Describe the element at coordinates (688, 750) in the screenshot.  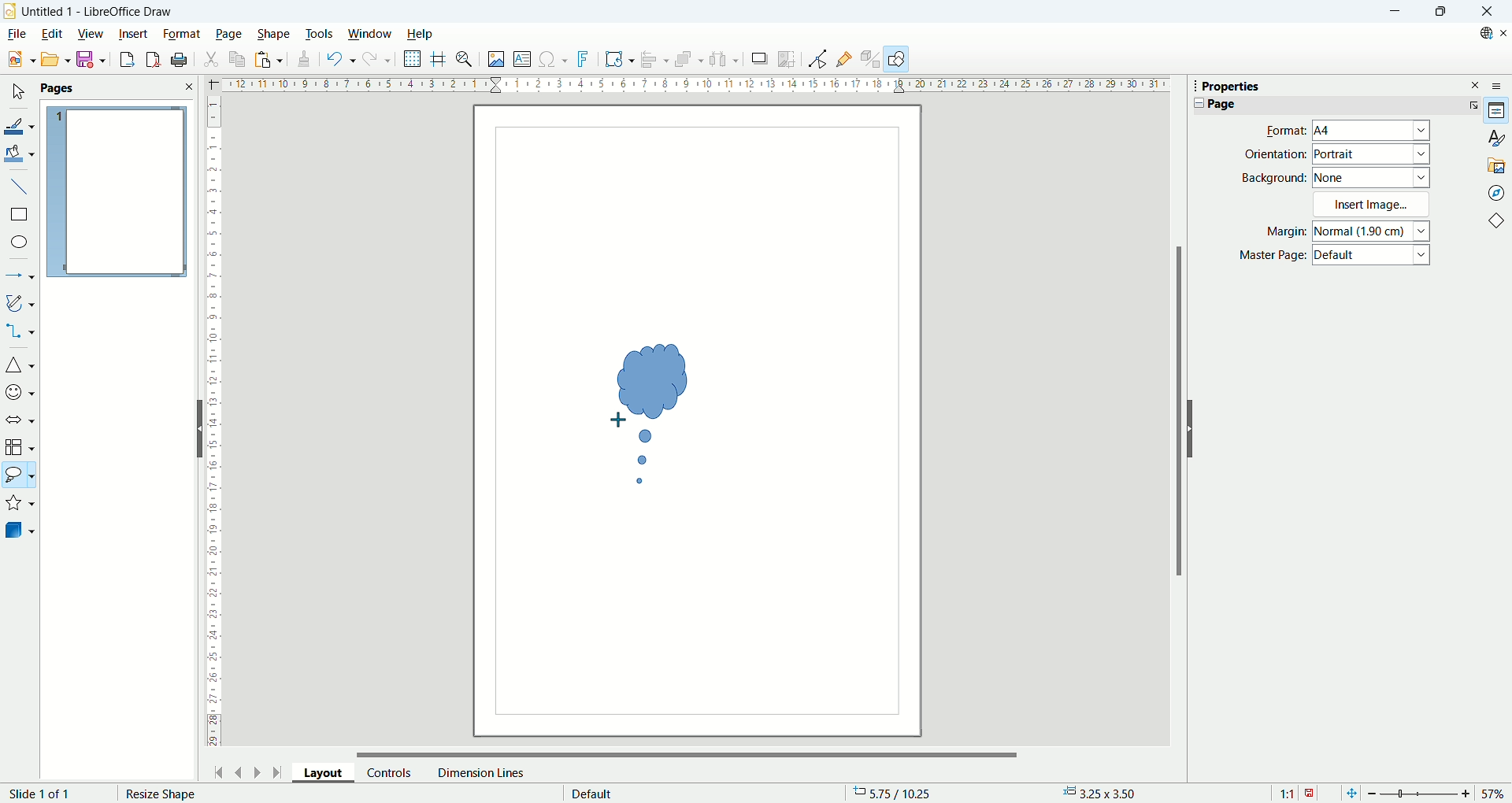
I see `Horizontal scroll bar` at that location.